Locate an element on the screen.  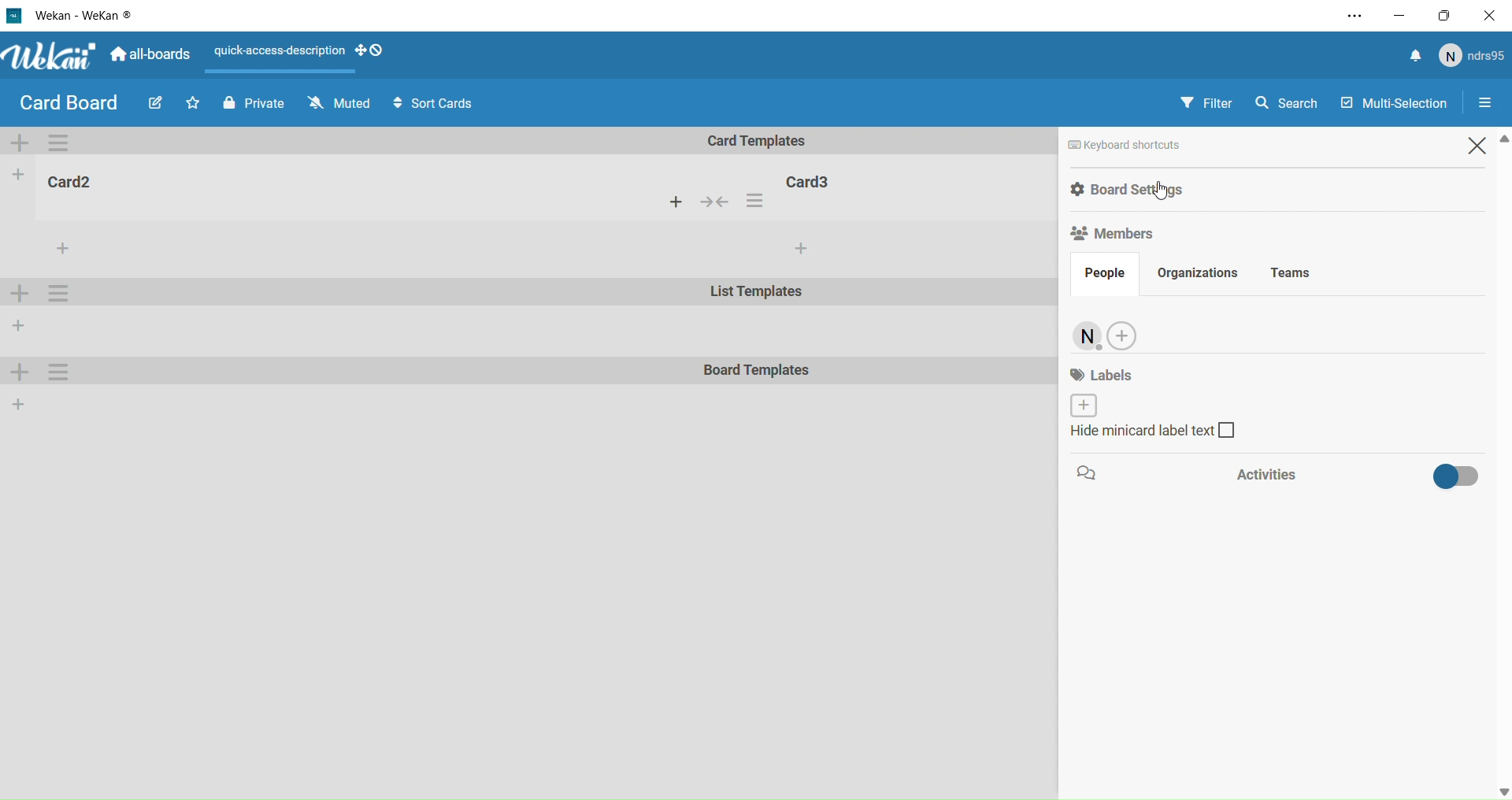
Settings is located at coordinates (1492, 104).